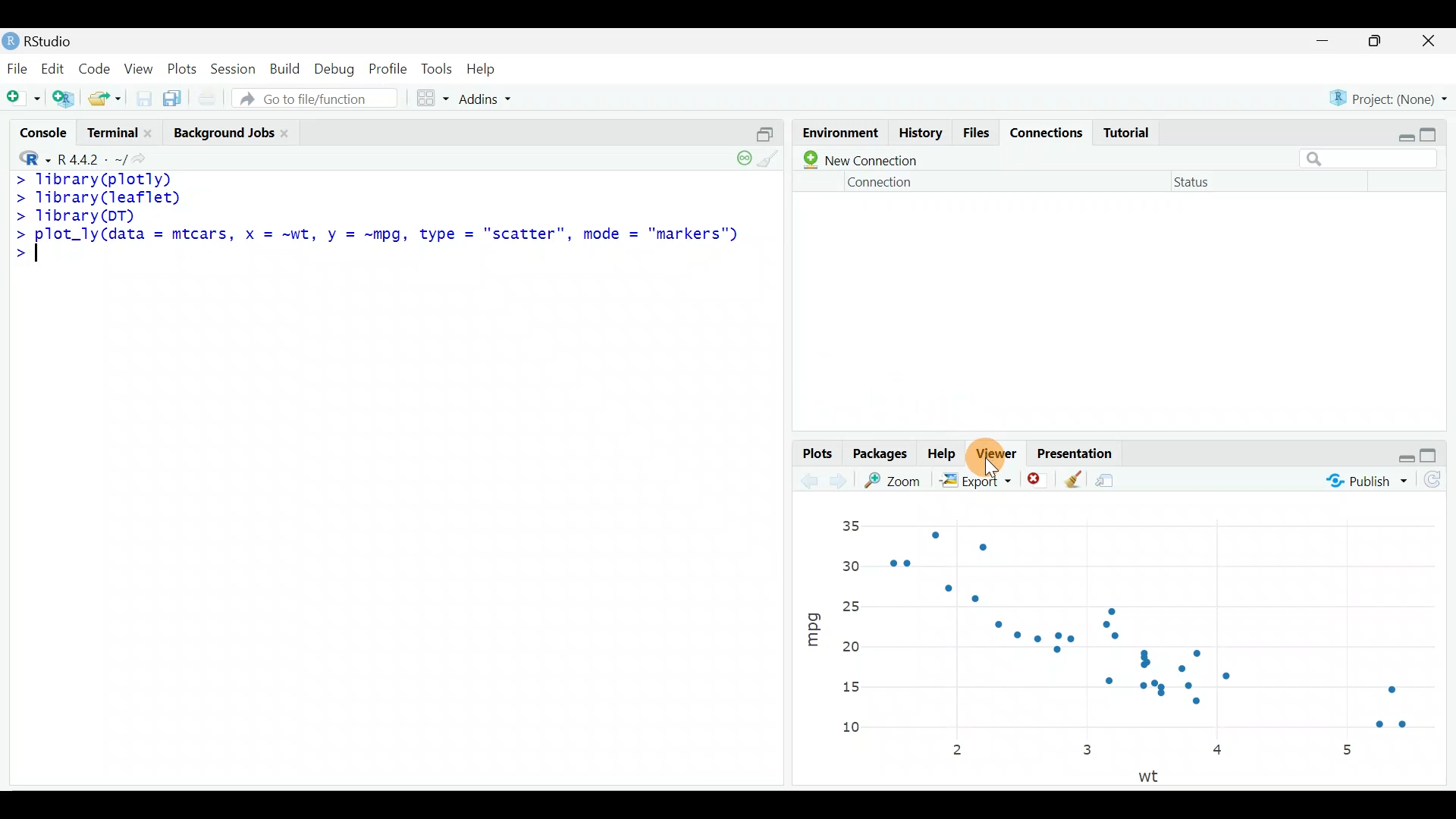 The image size is (1456, 819). I want to click on Connection, so click(878, 185).